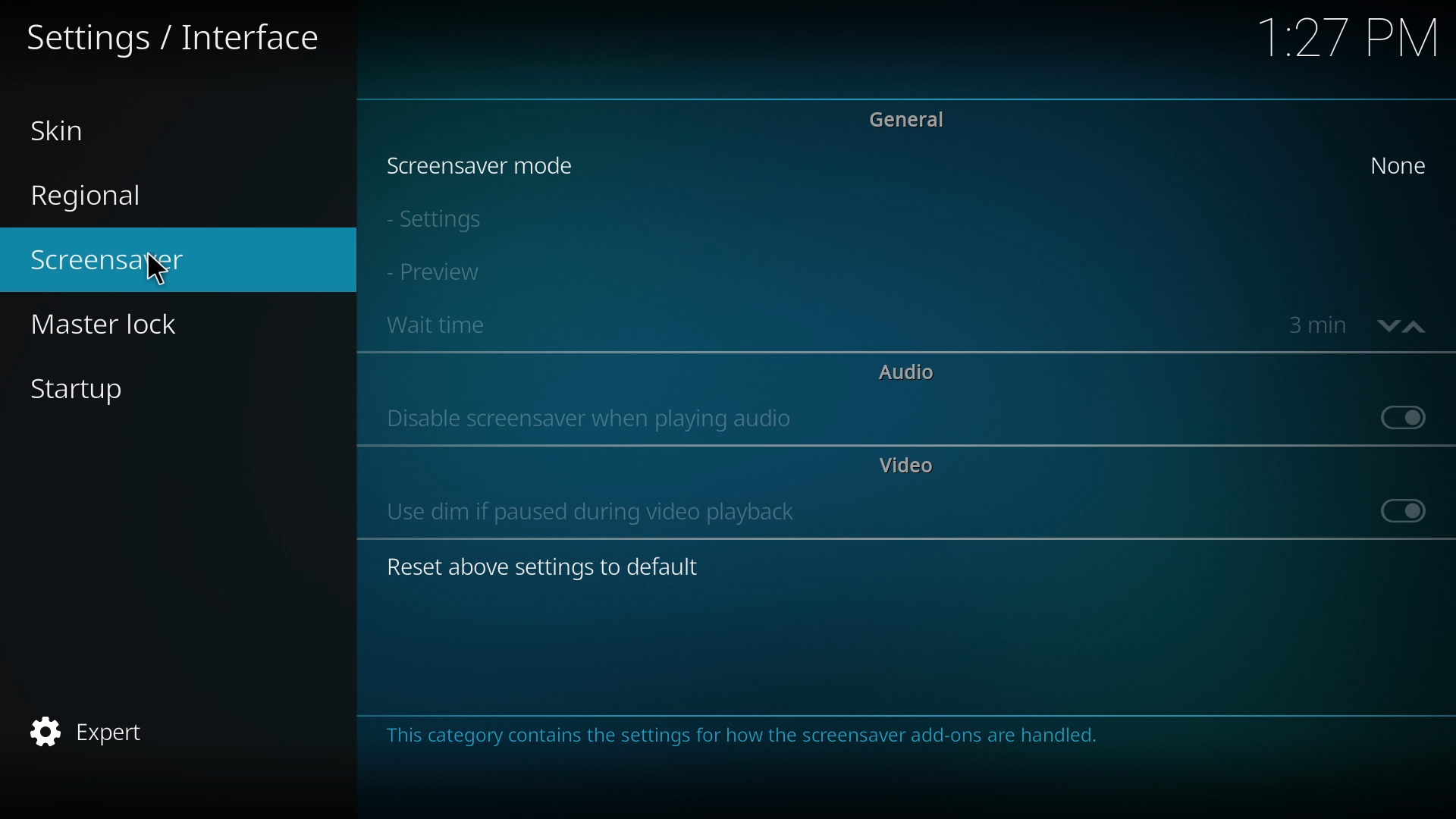 This screenshot has height=819, width=1456. What do you see at coordinates (747, 736) in the screenshot?
I see `info` at bounding box center [747, 736].